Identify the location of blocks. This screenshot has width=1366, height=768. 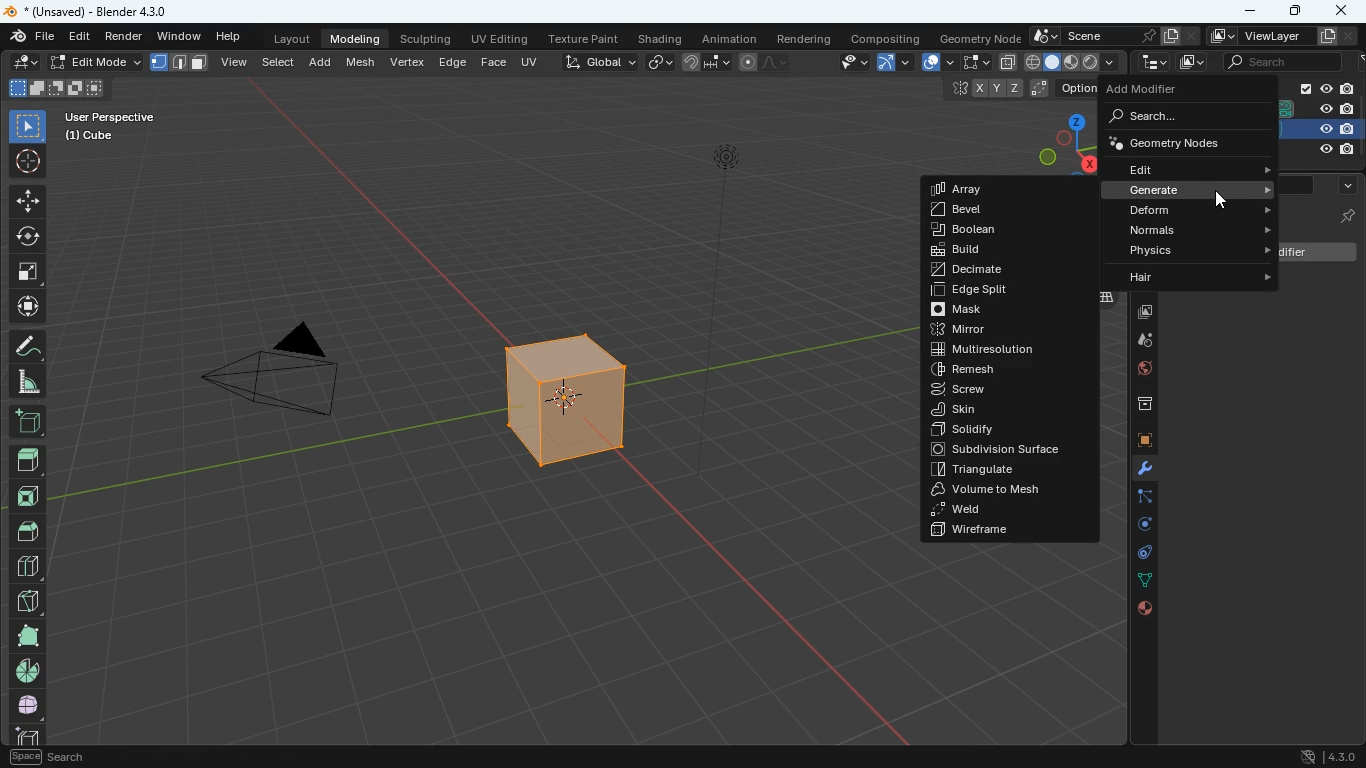
(28, 569).